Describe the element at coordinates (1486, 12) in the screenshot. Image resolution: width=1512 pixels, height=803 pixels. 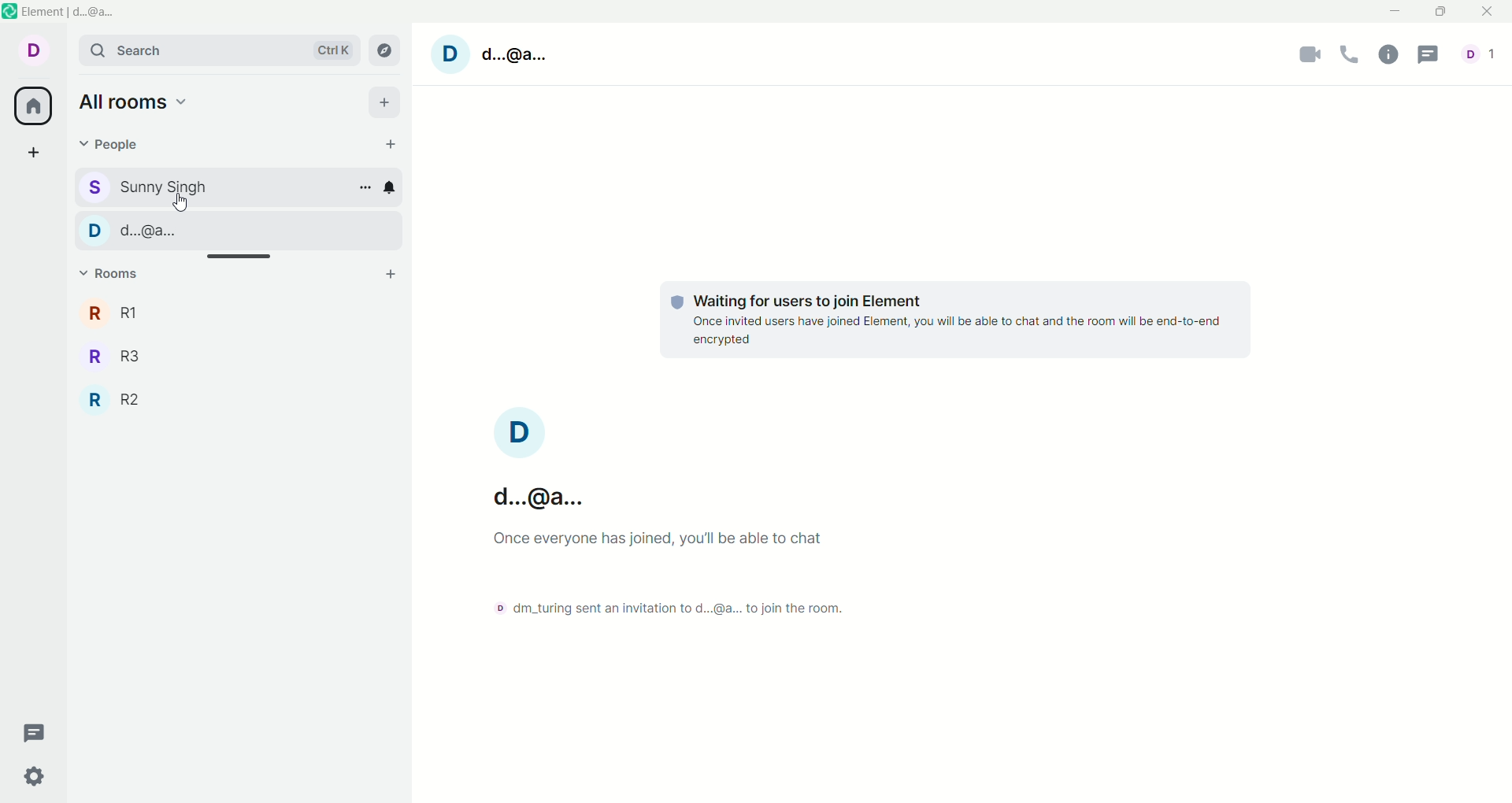
I see `close` at that location.